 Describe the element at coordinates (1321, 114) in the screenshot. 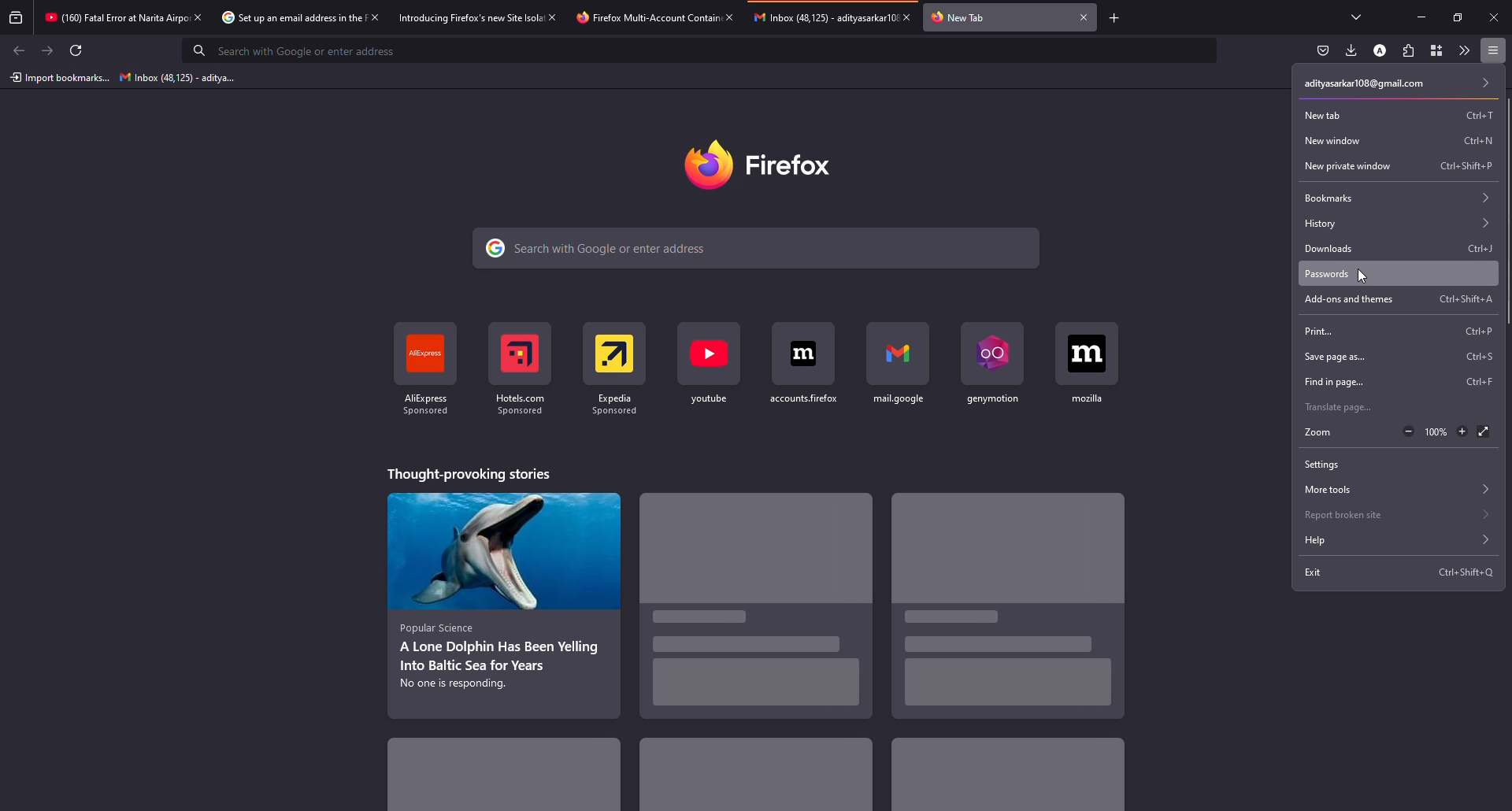

I see `new tab` at that location.